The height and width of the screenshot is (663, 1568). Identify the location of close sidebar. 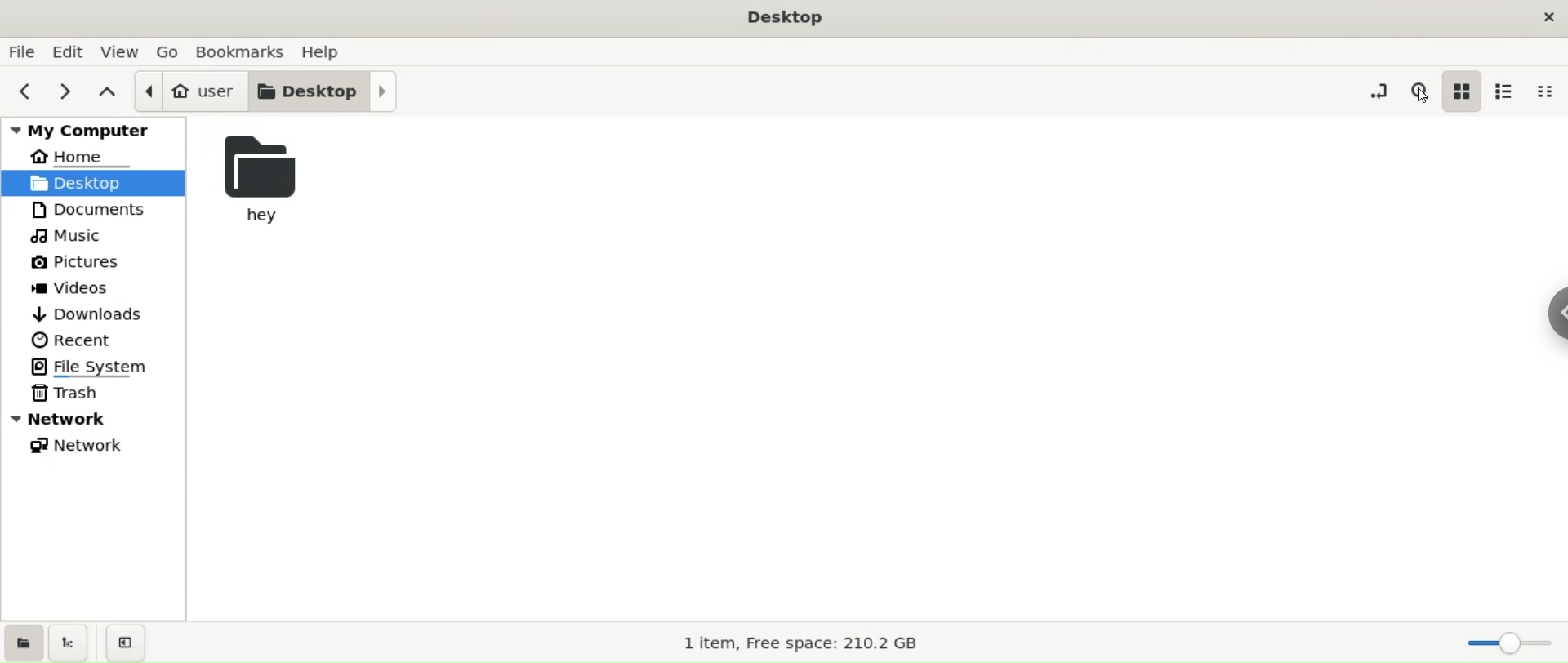
(124, 644).